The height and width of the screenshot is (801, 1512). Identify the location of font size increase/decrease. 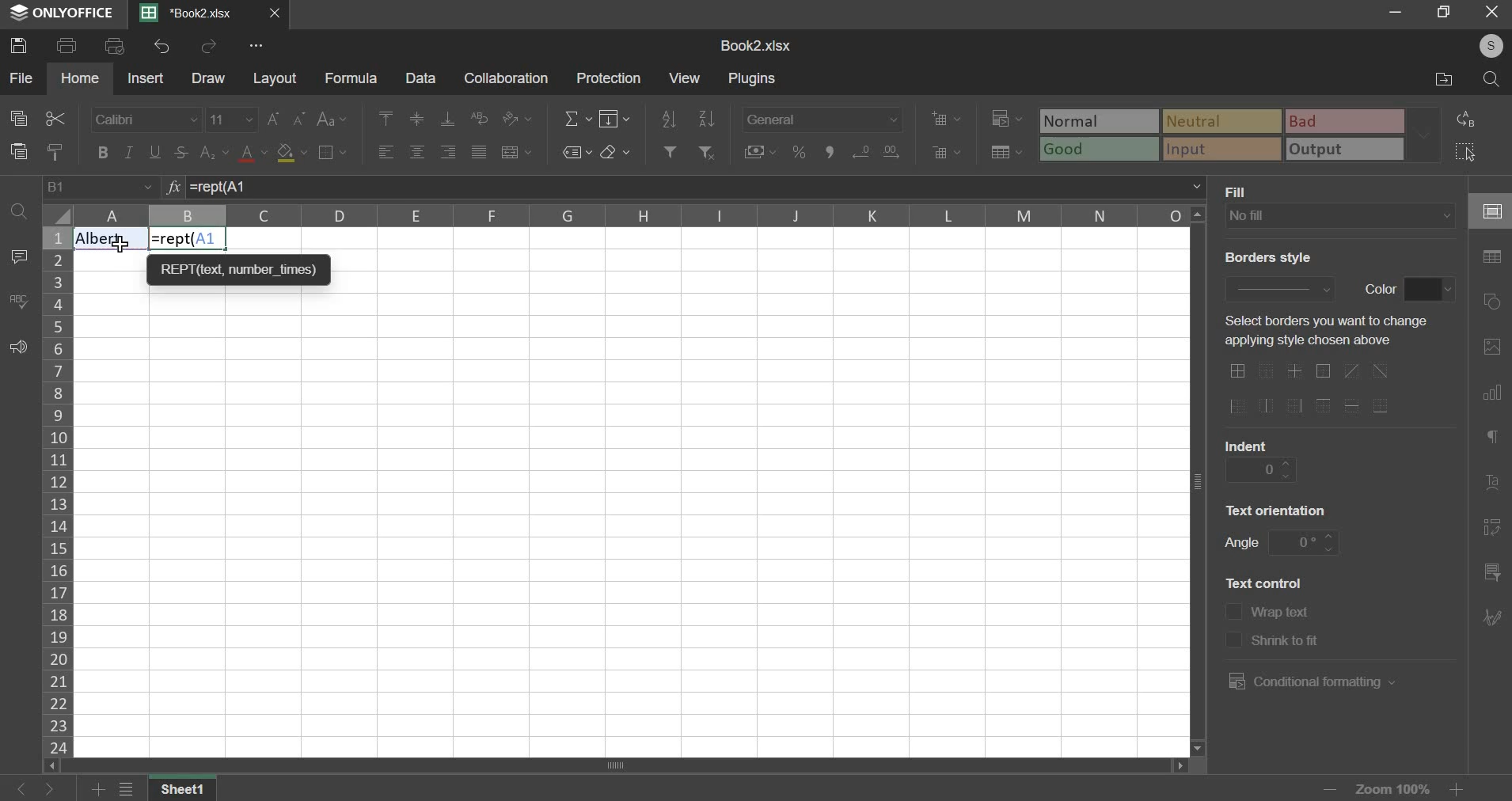
(287, 119).